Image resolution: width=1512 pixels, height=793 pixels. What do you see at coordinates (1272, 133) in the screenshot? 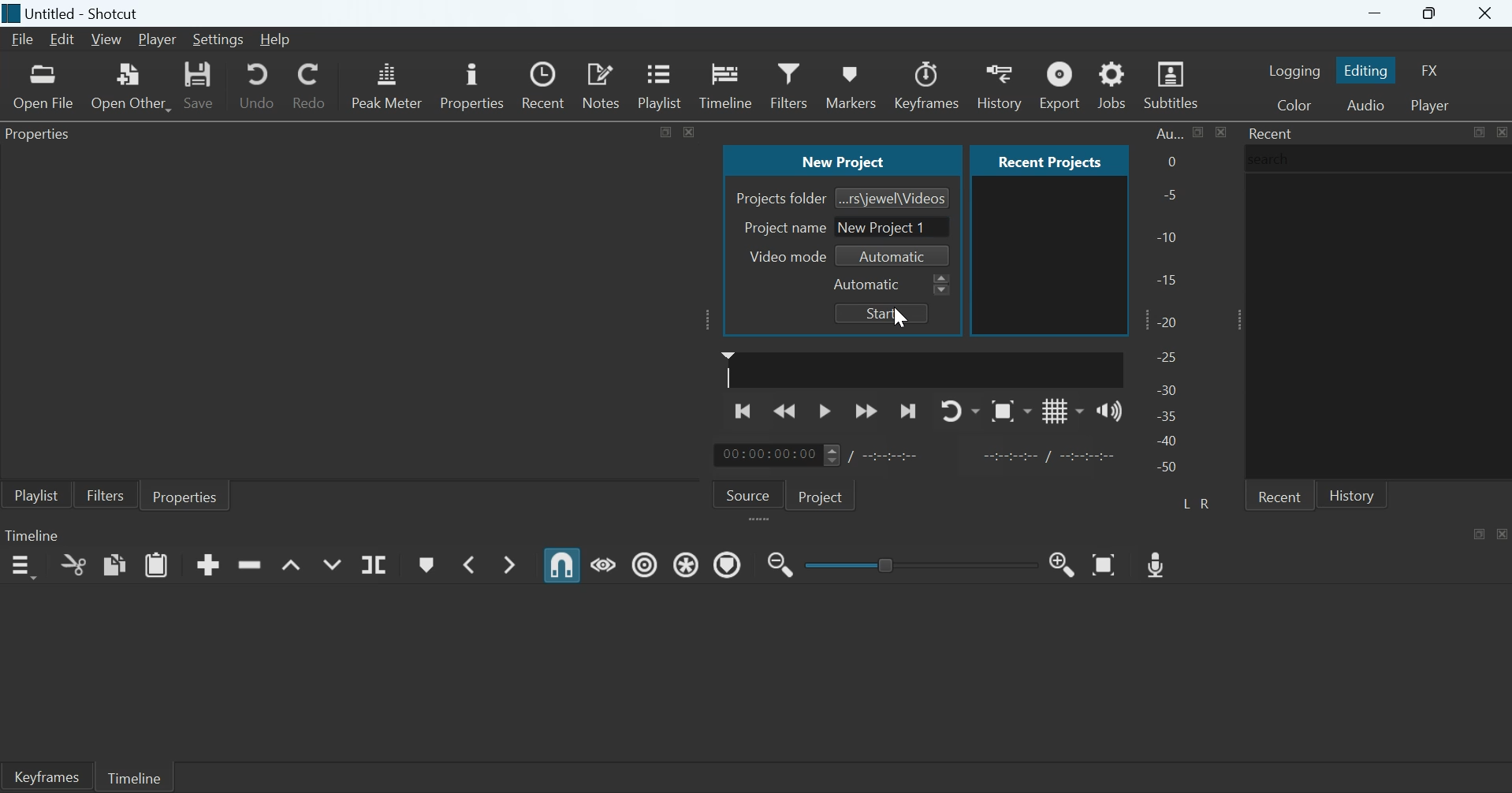
I see `Recent` at bounding box center [1272, 133].